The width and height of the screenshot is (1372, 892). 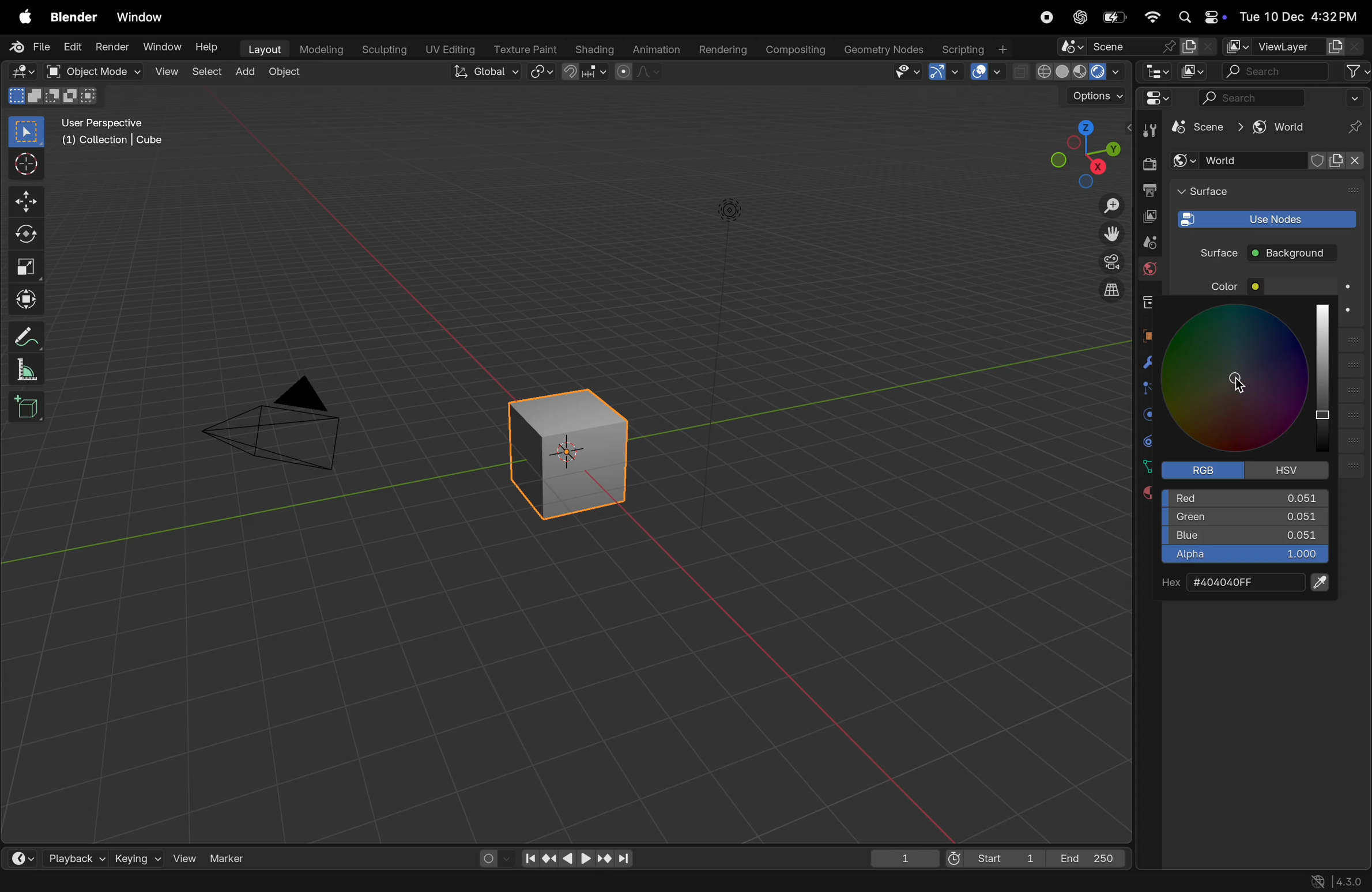 I want to click on cursor, so click(x=29, y=165).